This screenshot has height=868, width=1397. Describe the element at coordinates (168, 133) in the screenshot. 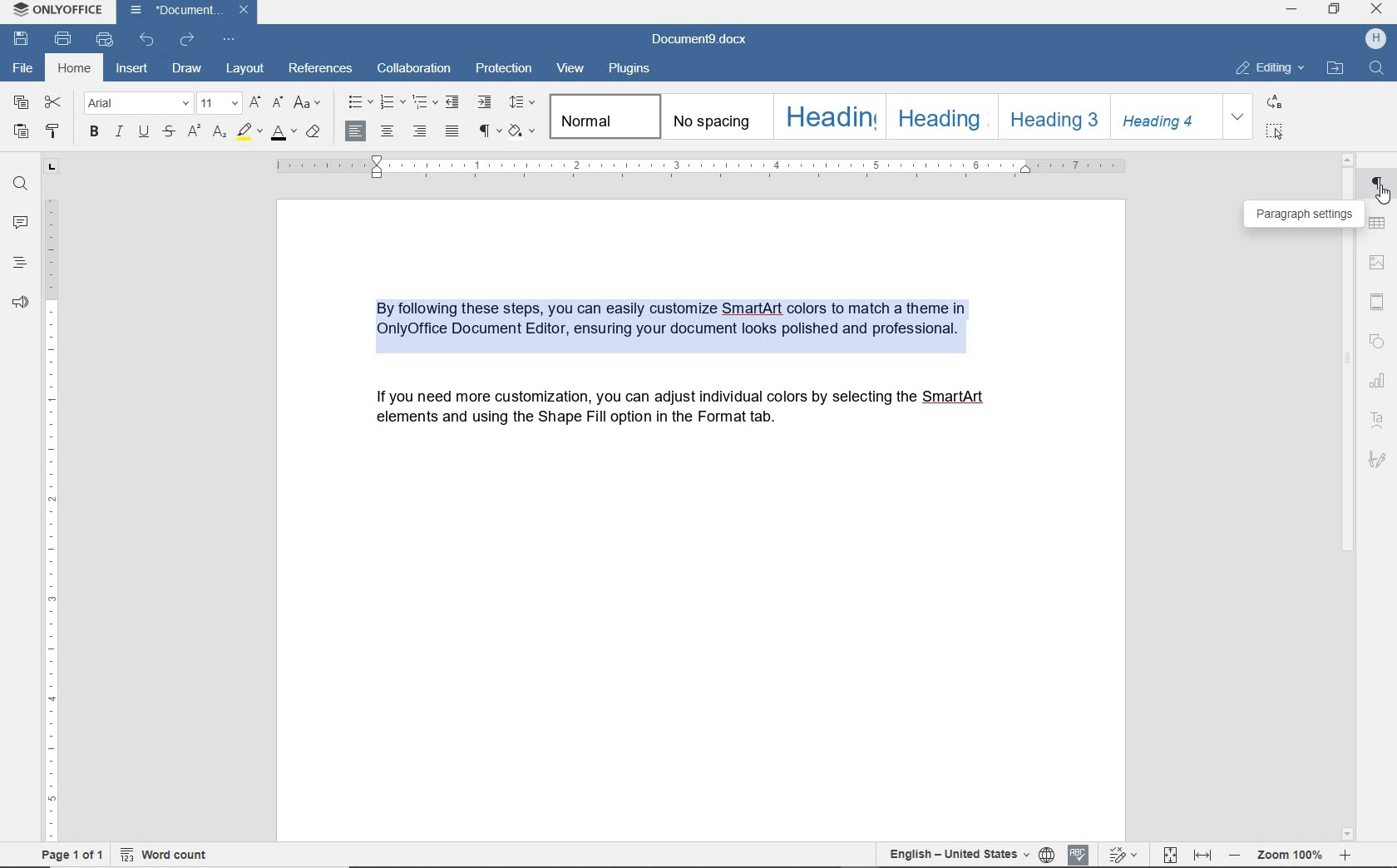

I see `strikethrough` at that location.